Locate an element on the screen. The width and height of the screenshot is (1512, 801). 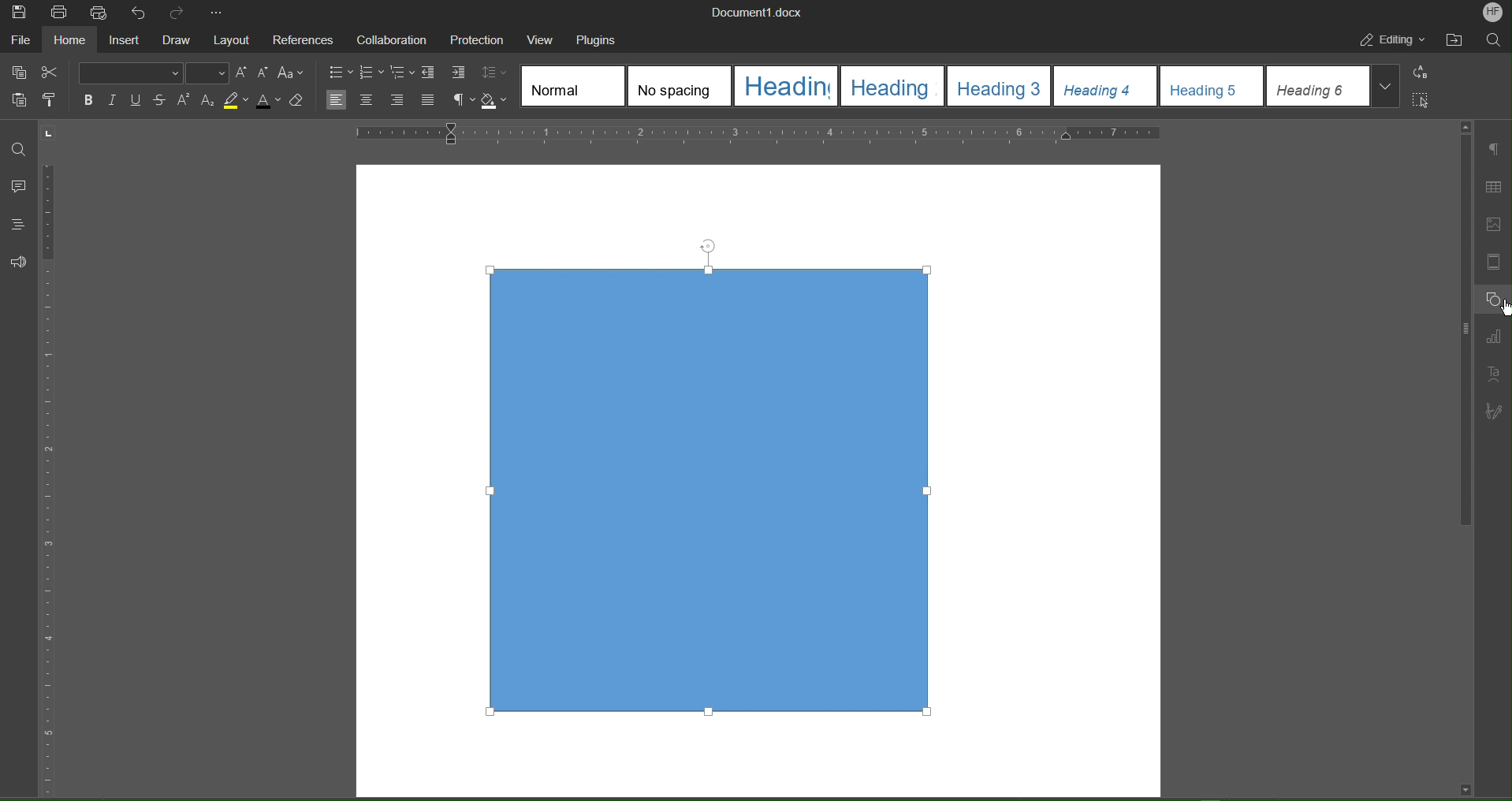
Superscript is located at coordinates (184, 102).